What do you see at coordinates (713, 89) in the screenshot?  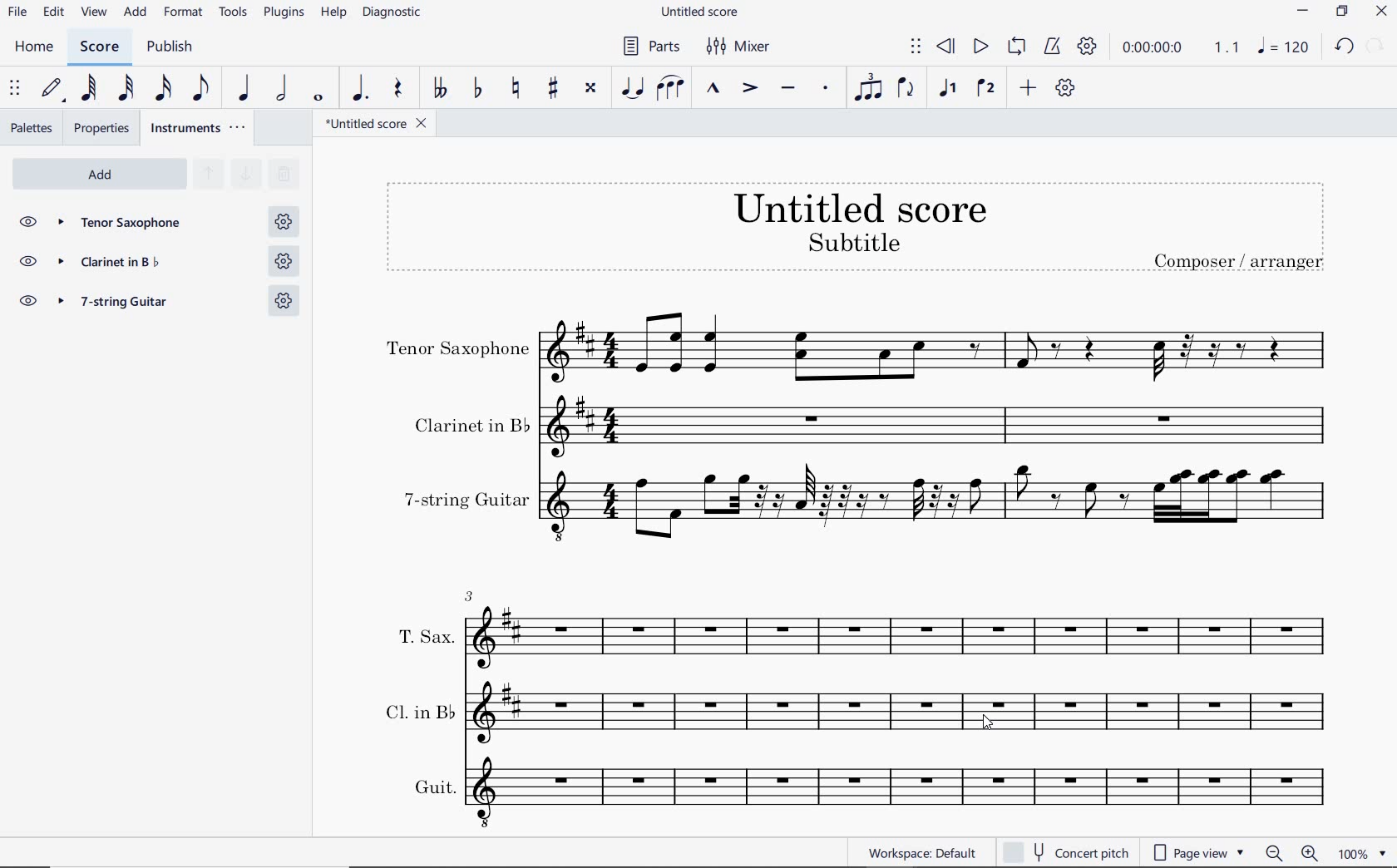 I see `MARCATO` at bounding box center [713, 89].